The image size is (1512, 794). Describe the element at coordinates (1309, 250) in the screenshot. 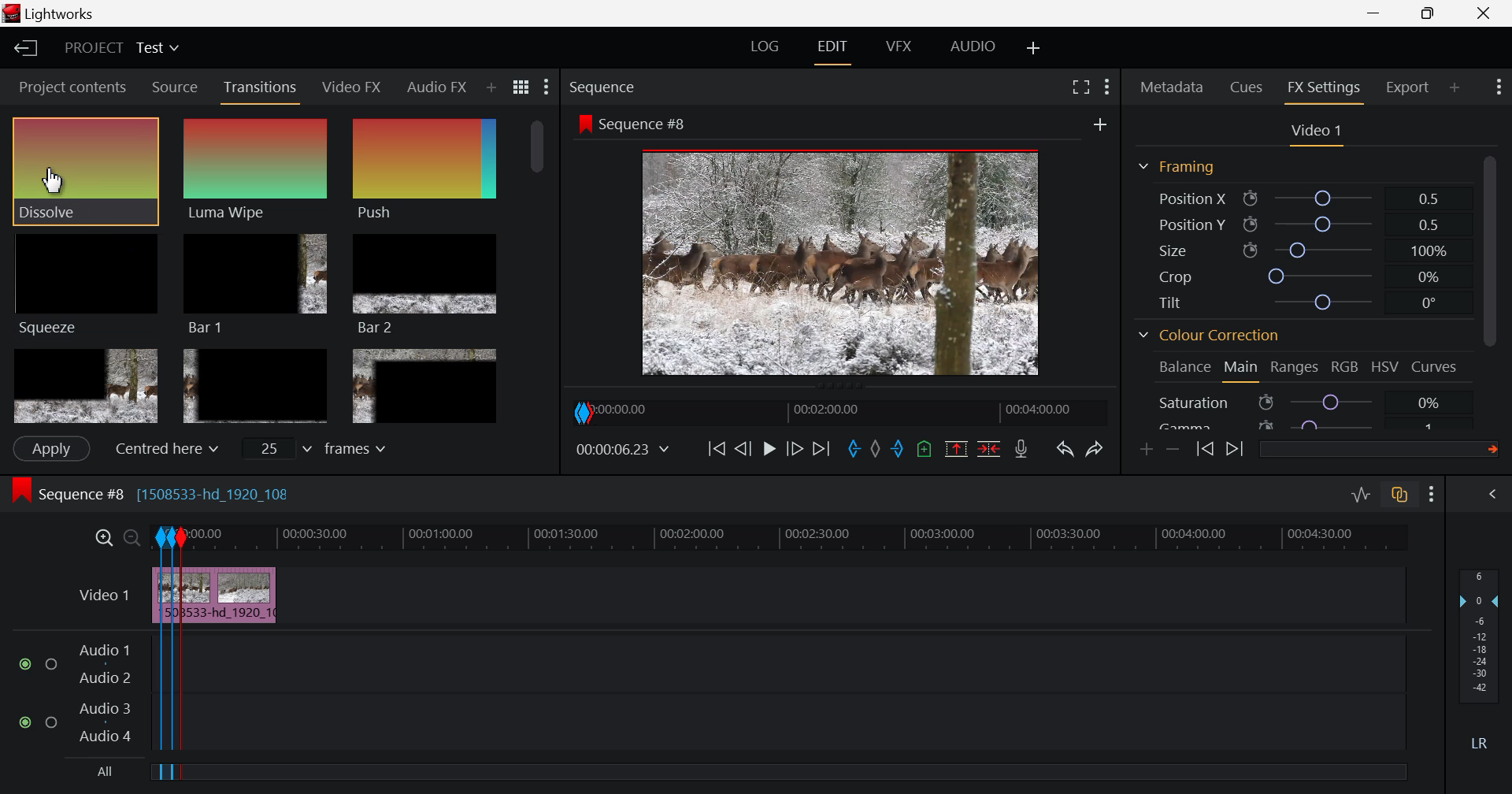

I see `Size` at that location.